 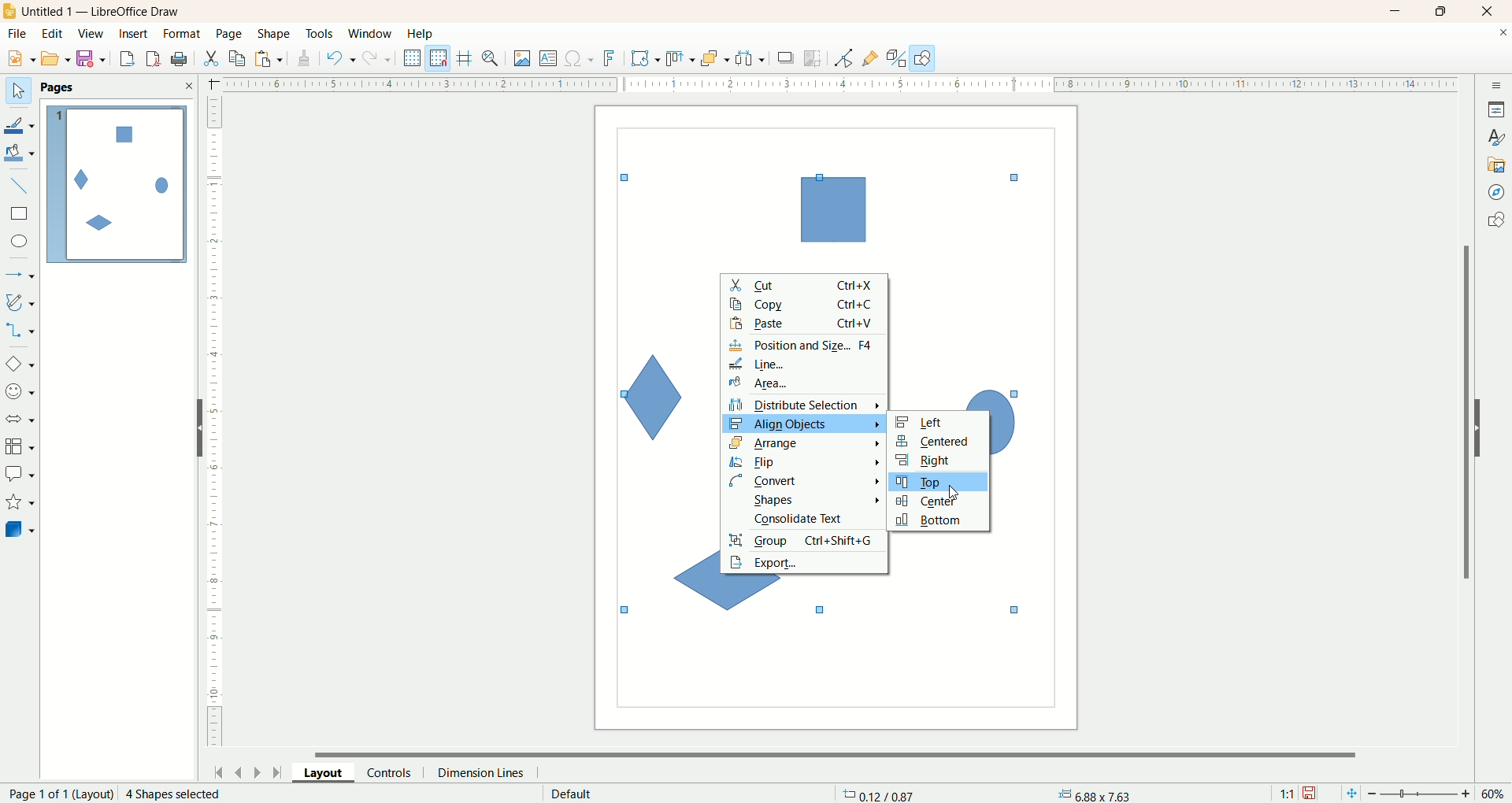 What do you see at coordinates (272, 57) in the screenshot?
I see `paste` at bounding box center [272, 57].